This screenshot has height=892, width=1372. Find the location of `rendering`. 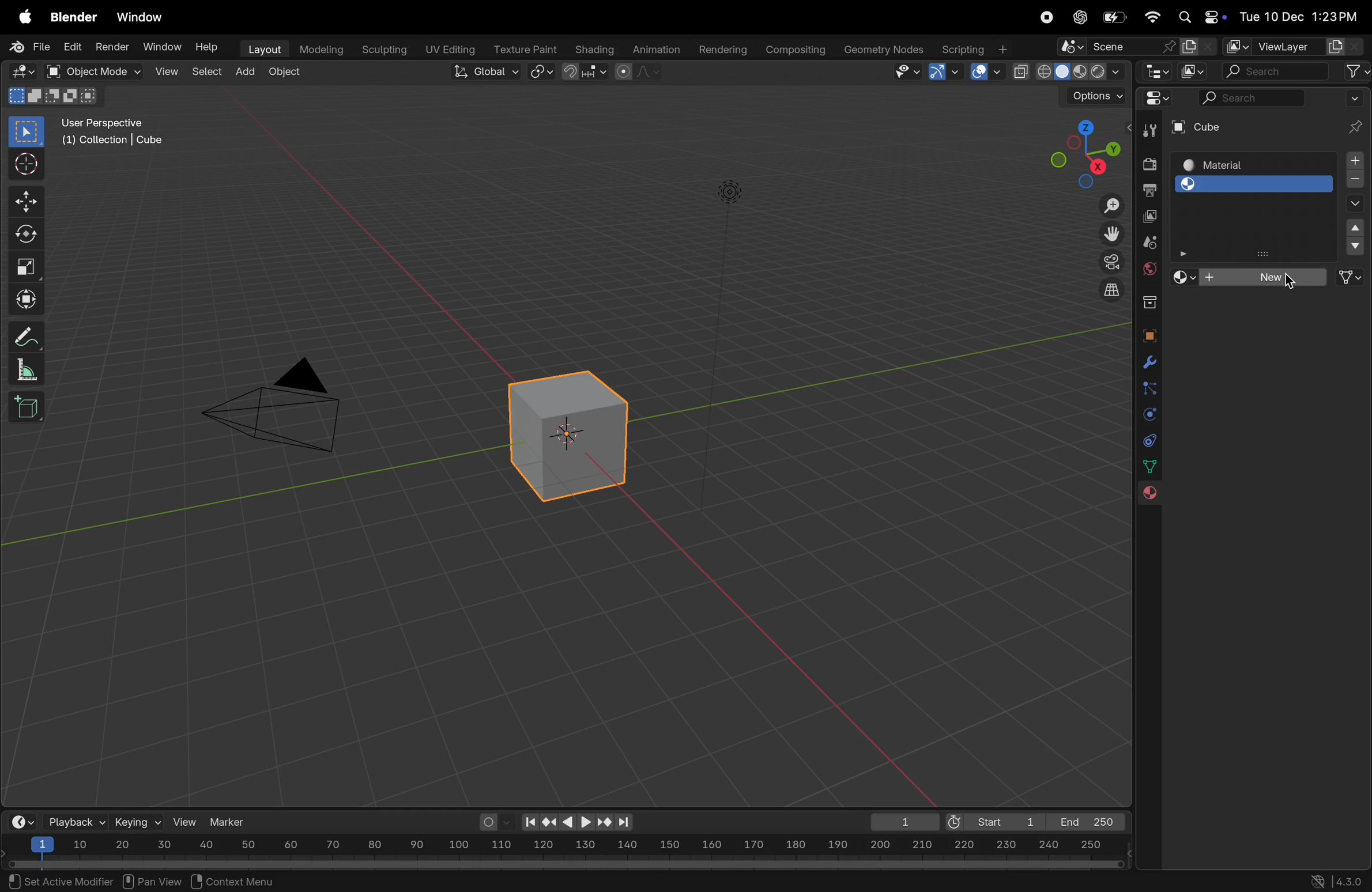

rendering is located at coordinates (719, 48).